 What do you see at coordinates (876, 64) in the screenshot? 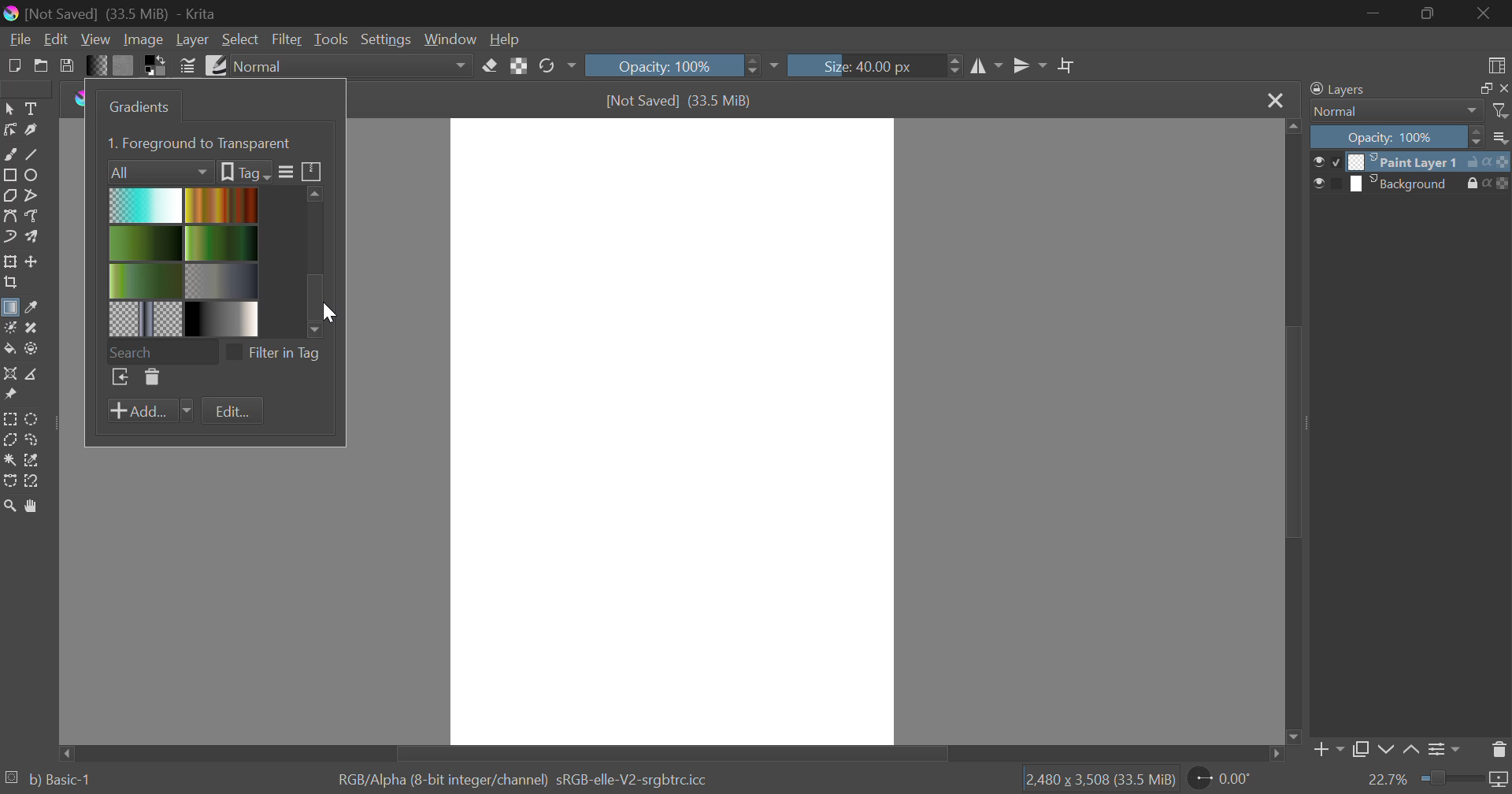
I see `Size: 40.00 px` at bounding box center [876, 64].